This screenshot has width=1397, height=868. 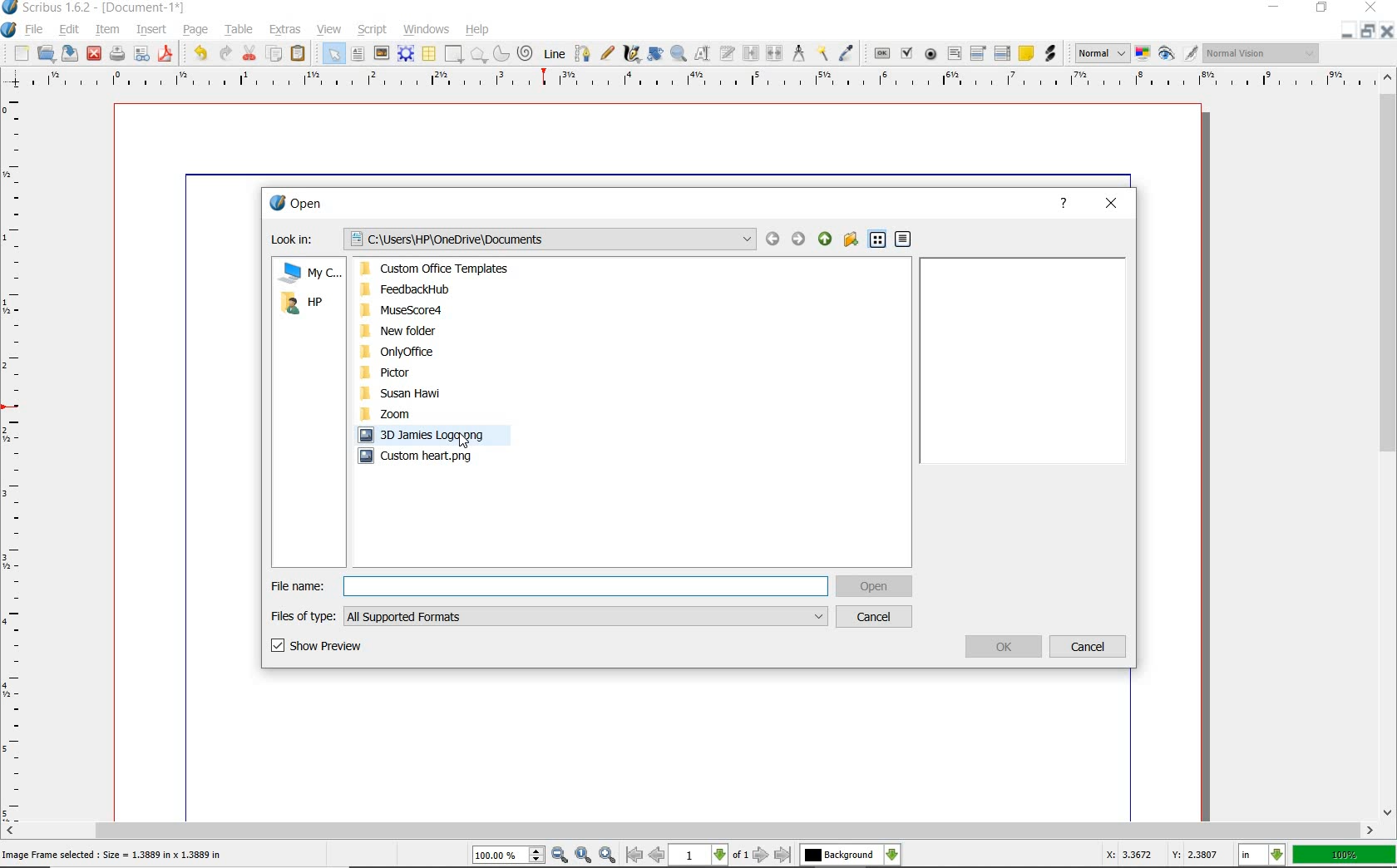 I want to click on preview mode, so click(x=1177, y=52).